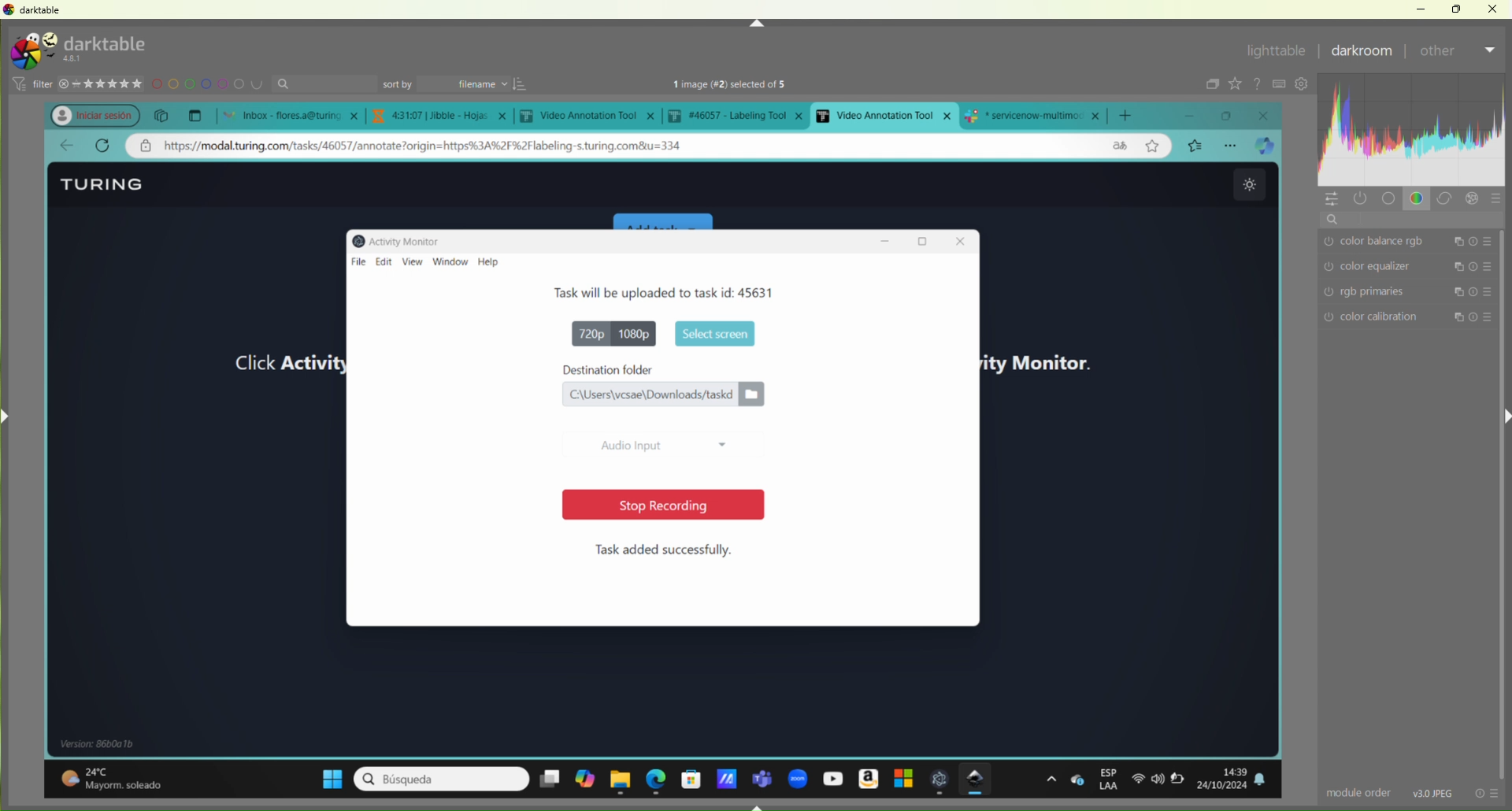 The height and width of the screenshot is (811, 1512). I want to click on temperature details, so click(120, 774).